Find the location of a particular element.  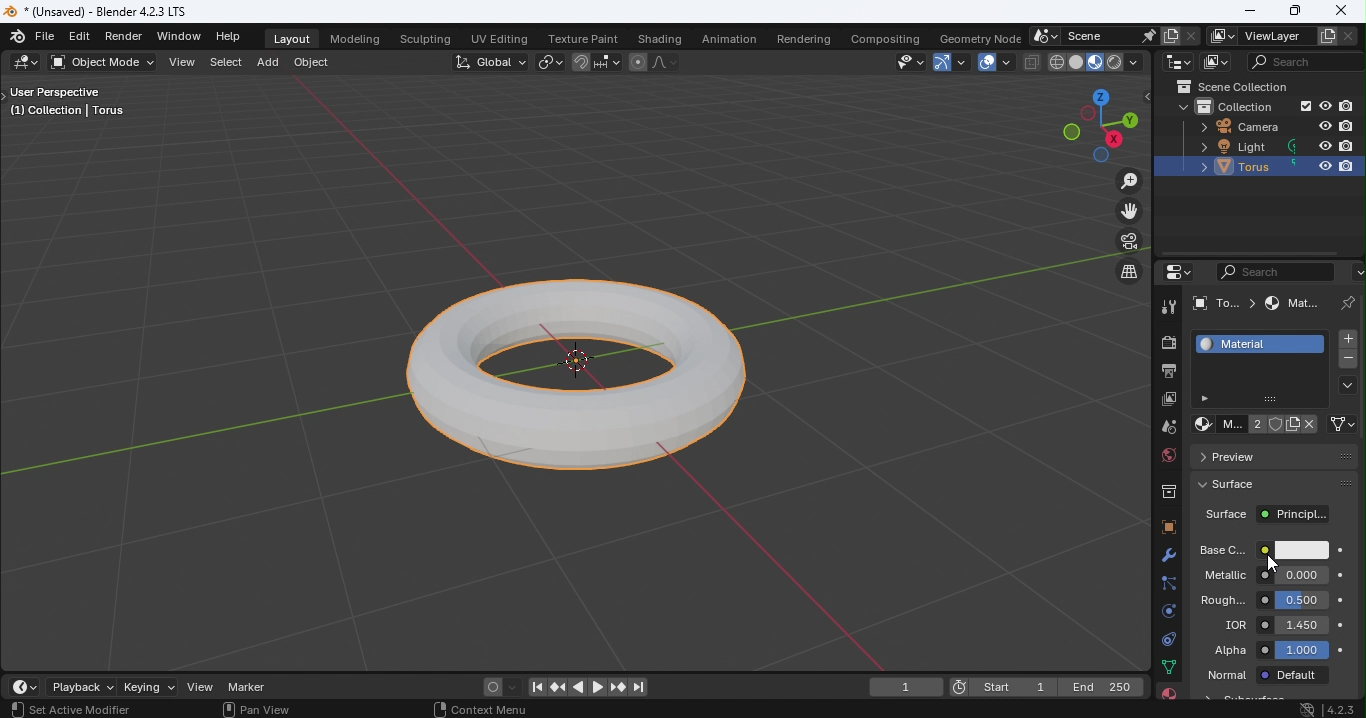

Viewport shading is located at coordinates (1077, 62).